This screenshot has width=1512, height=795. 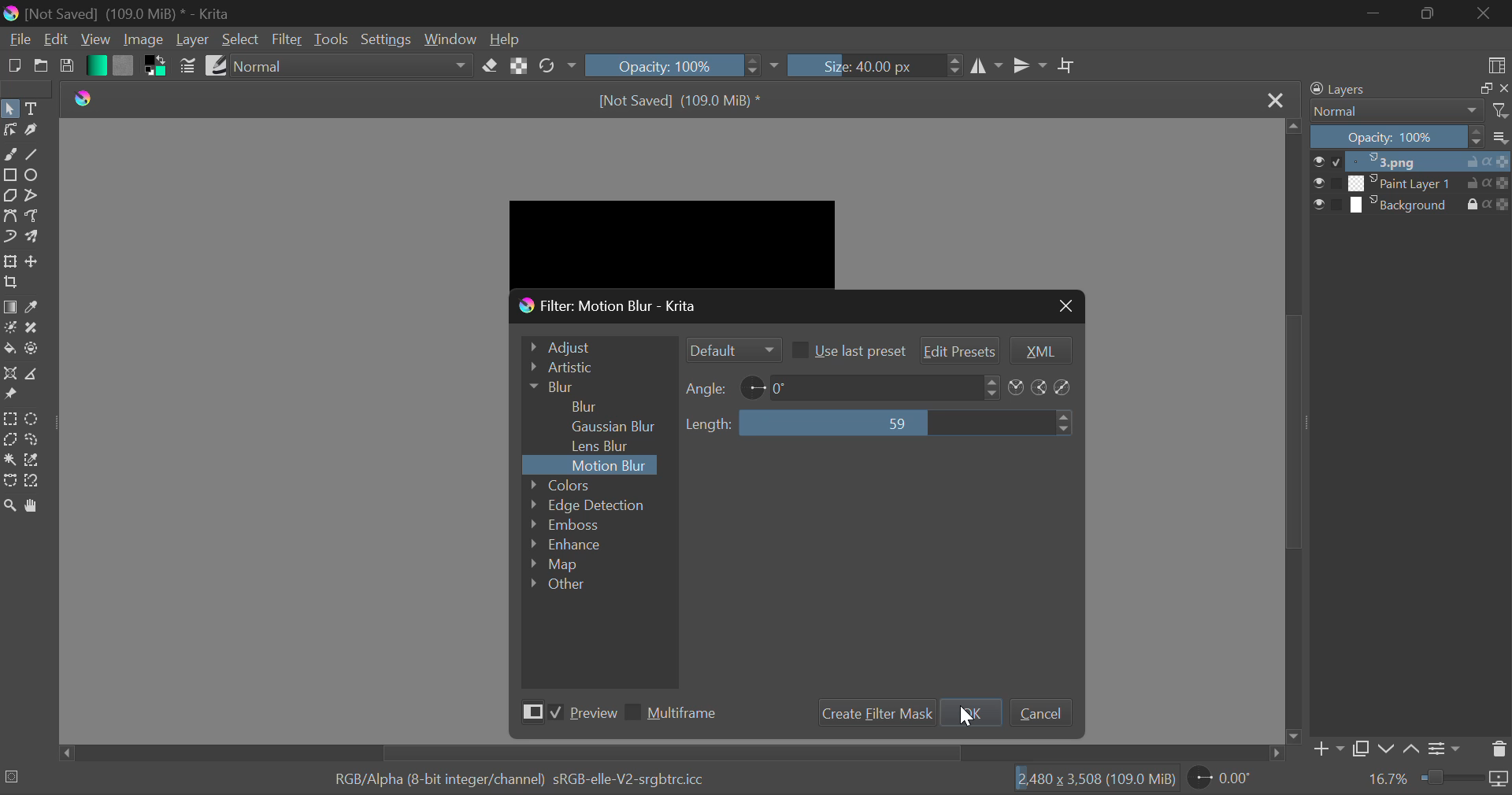 What do you see at coordinates (1411, 205) in the screenshot?
I see `Background` at bounding box center [1411, 205].